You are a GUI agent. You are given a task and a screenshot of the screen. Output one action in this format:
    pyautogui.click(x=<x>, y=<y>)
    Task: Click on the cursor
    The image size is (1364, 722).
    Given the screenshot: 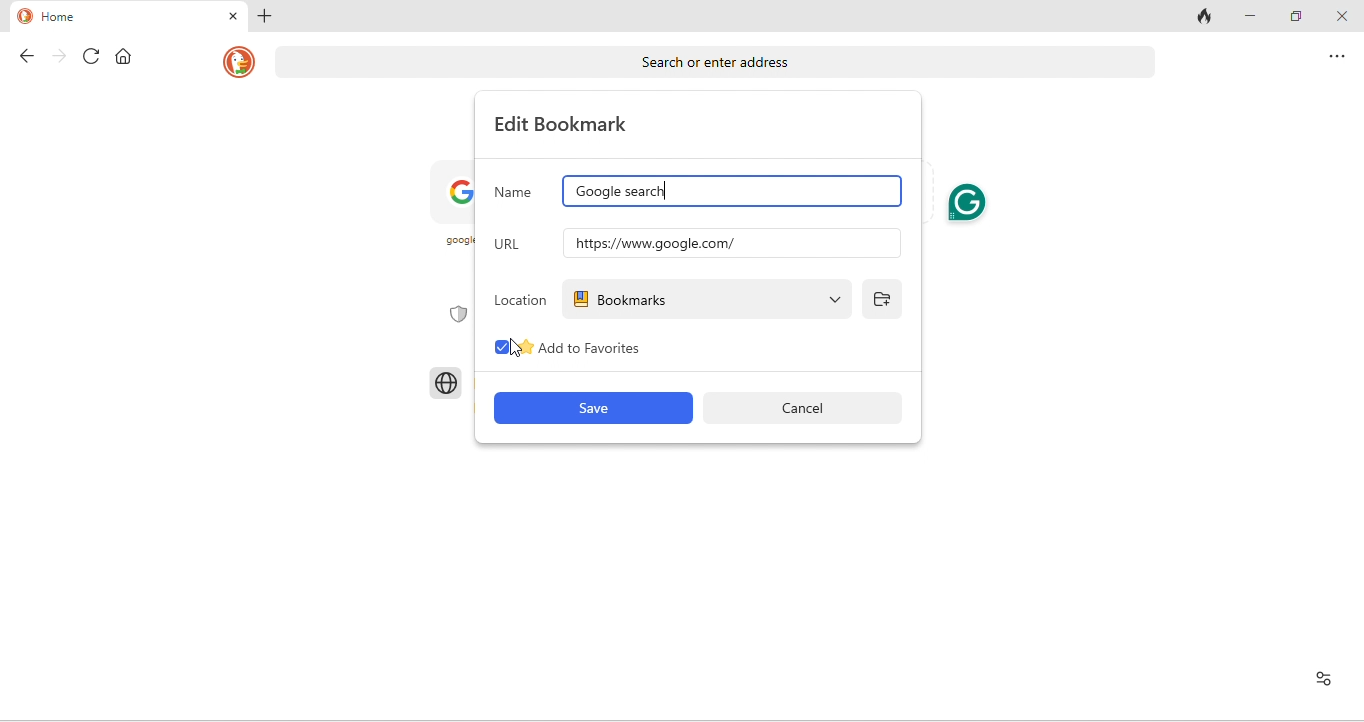 What is the action you would take?
    pyautogui.click(x=516, y=346)
    